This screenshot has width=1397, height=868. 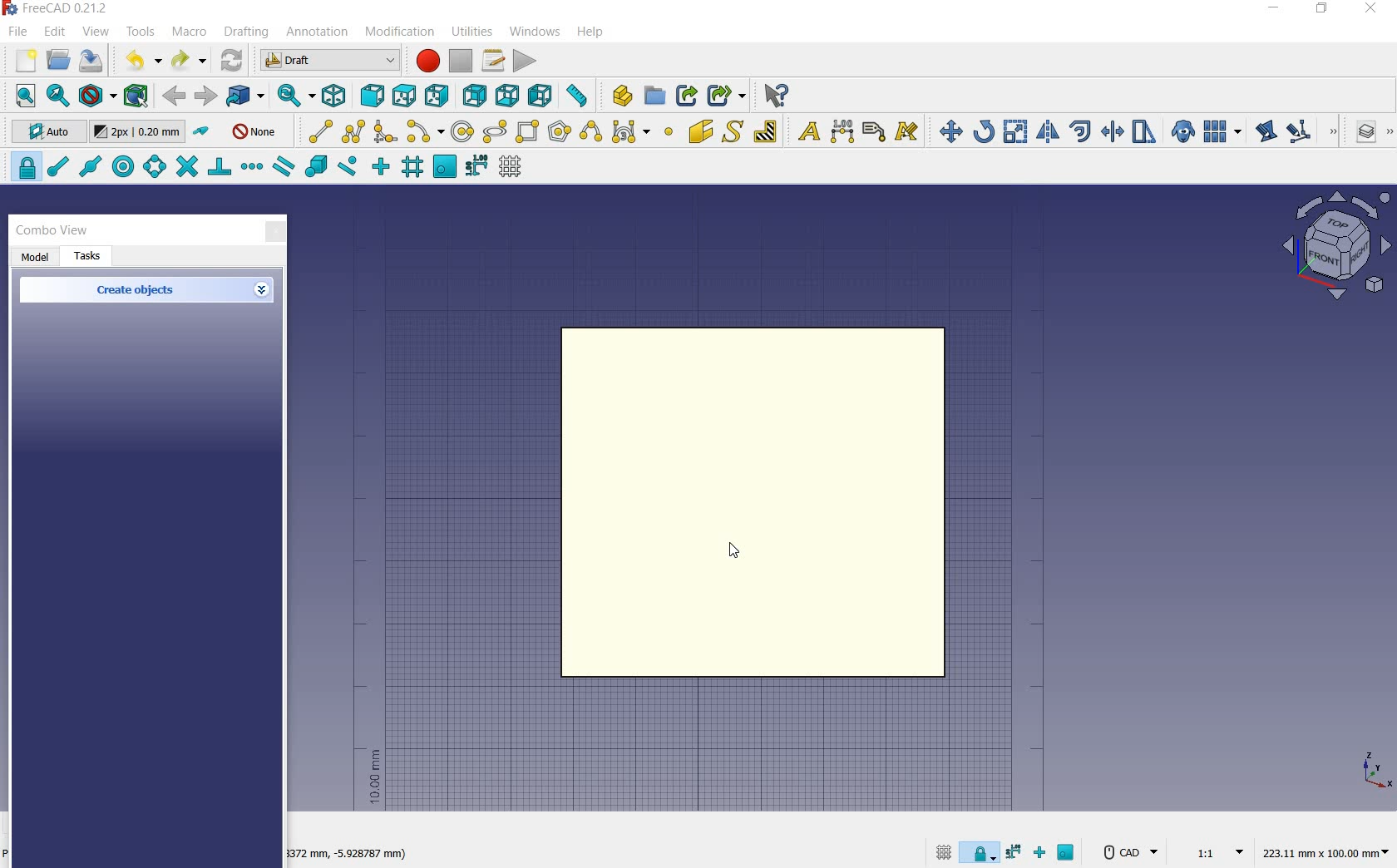 What do you see at coordinates (56, 32) in the screenshot?
I see `edit` at bounding box center [56, 32].